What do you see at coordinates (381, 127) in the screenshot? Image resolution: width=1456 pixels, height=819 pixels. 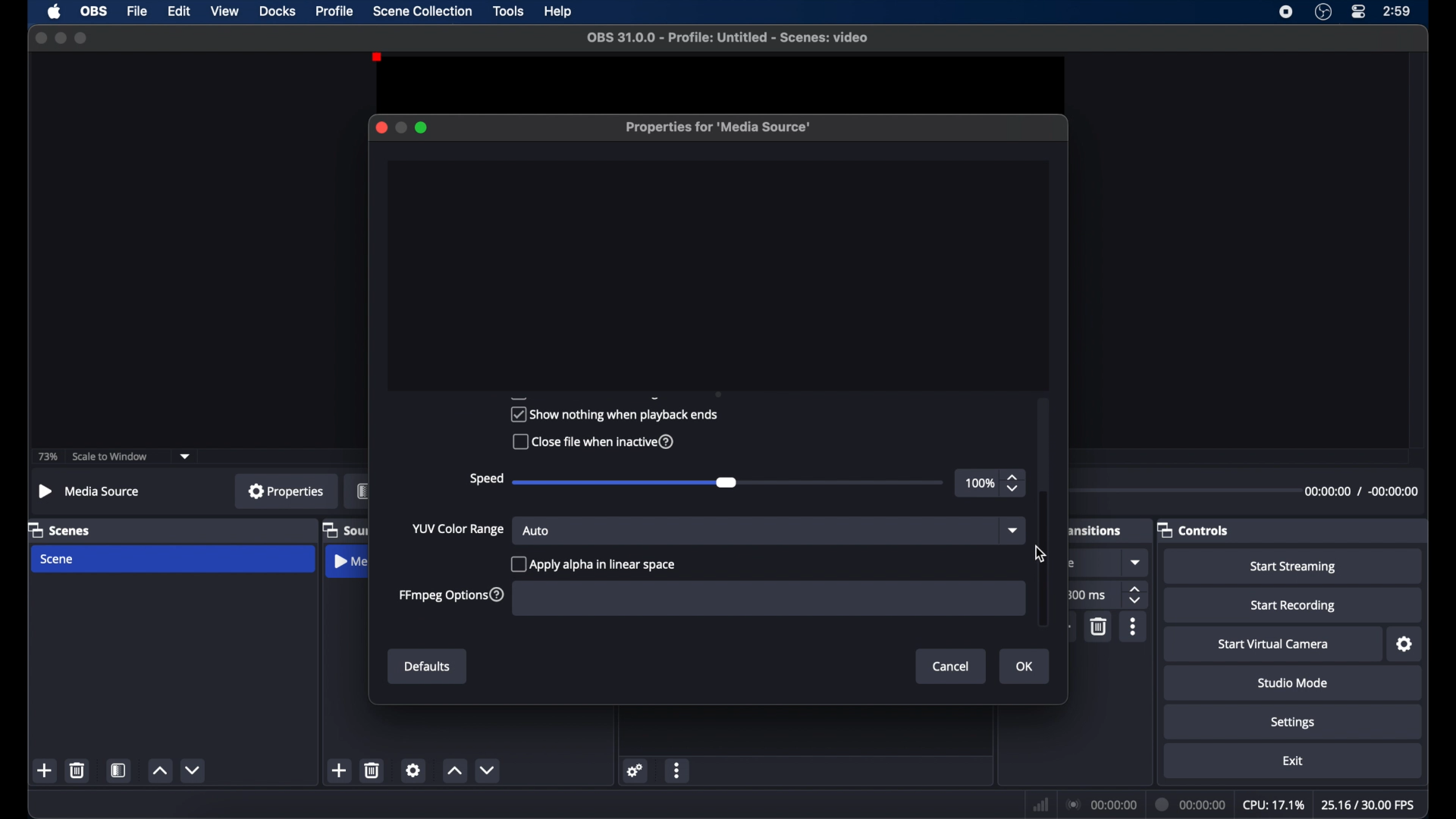 I see `close` at bounding box center [381, 127].